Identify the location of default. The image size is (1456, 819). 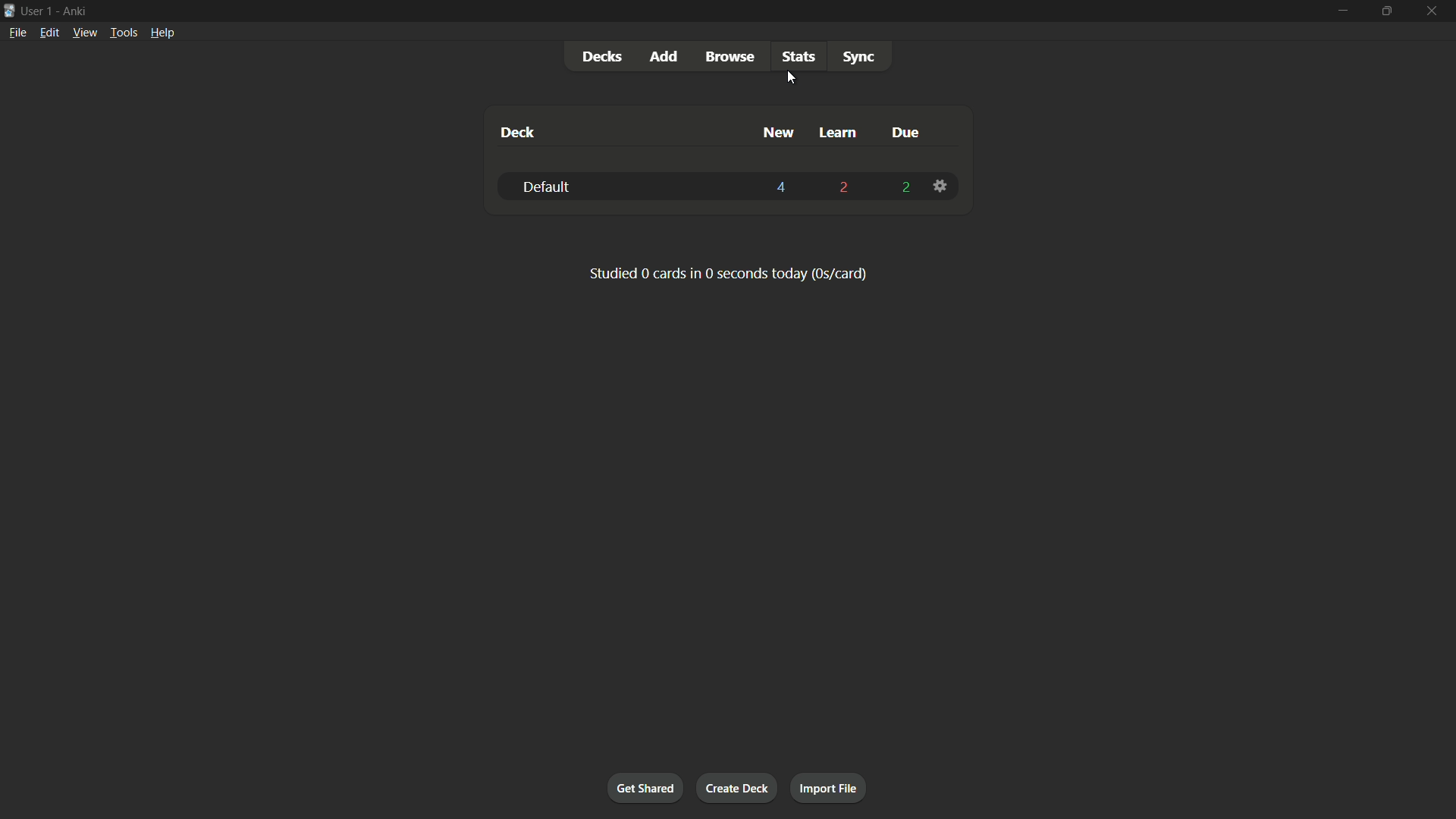
(544, 186).